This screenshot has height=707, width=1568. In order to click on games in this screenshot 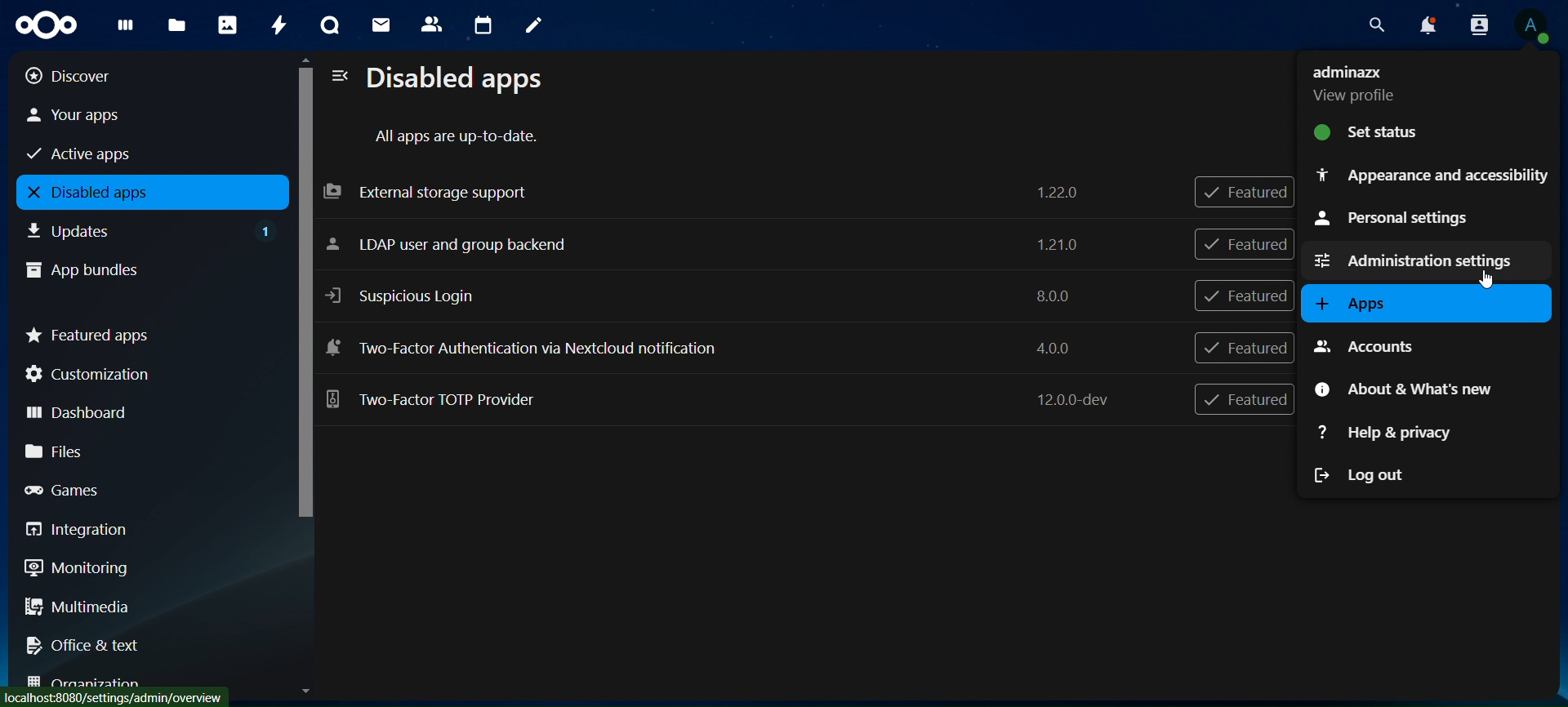, I will do `click(141, 489)`.